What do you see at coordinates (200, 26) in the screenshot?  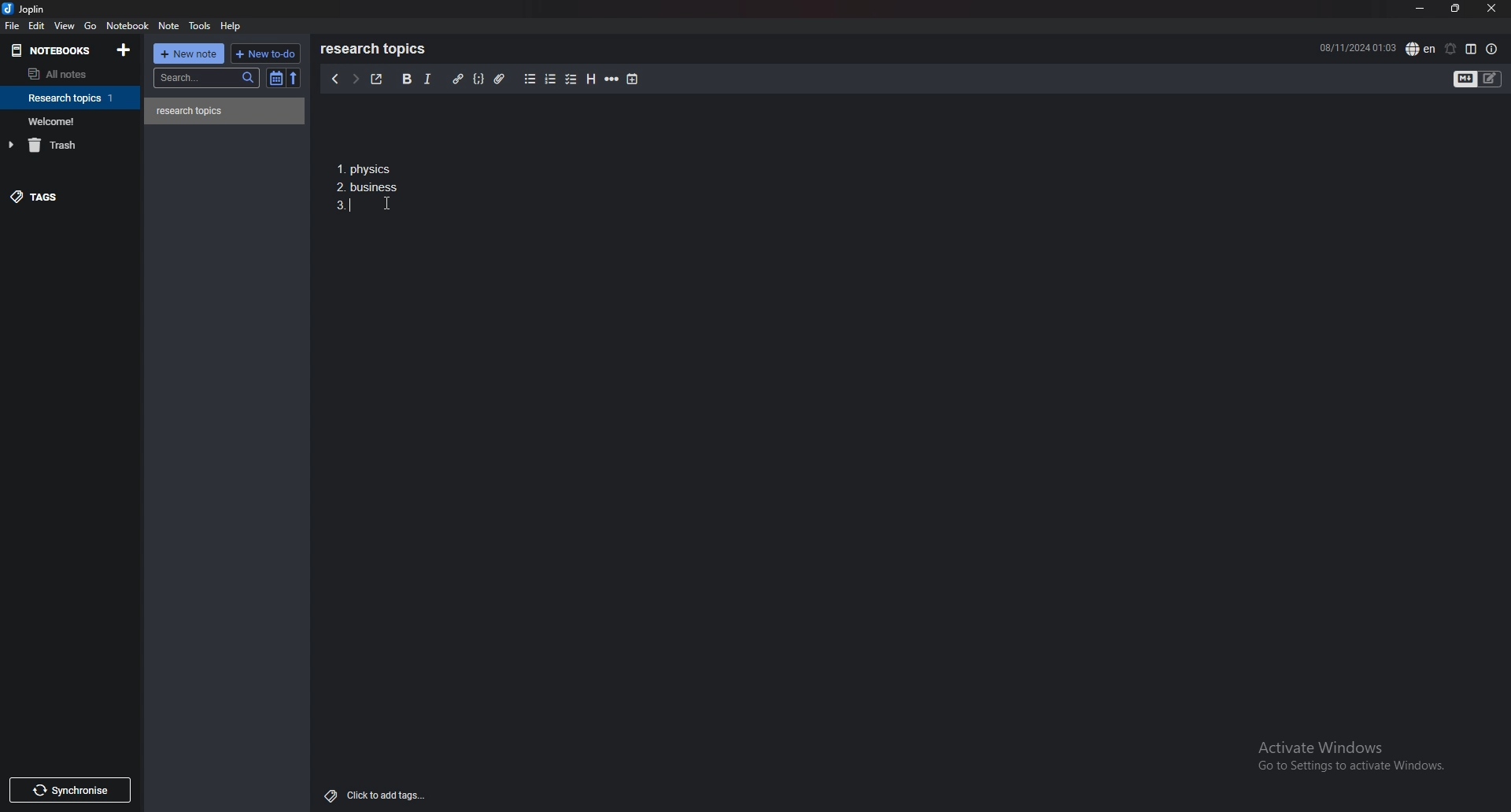 I see `tools` at bounding box center [200, 26].